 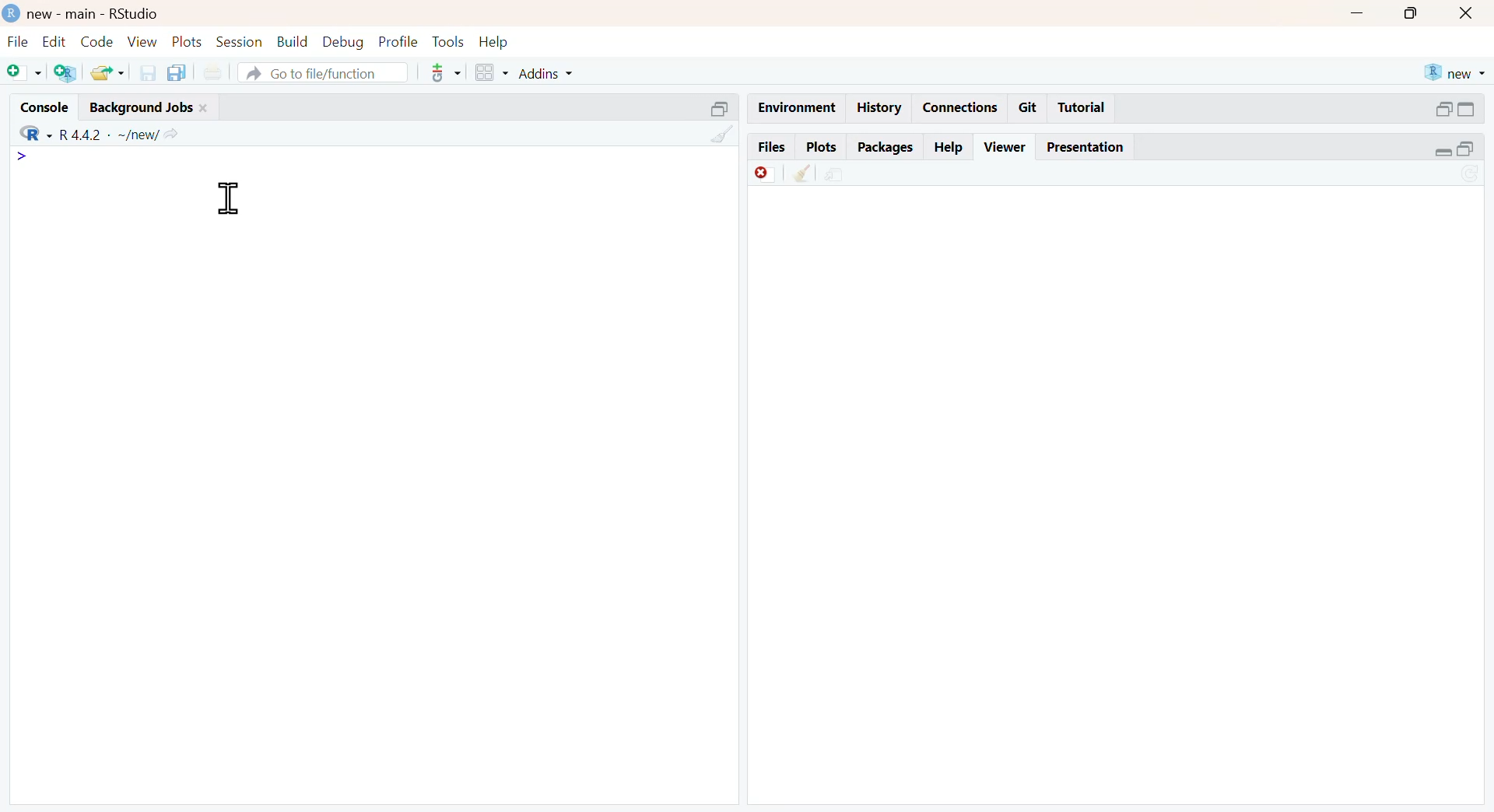 What do you see at coordinates (67, 73) in the screenshot?
I see `add R file` at bounding box center [67, 73].